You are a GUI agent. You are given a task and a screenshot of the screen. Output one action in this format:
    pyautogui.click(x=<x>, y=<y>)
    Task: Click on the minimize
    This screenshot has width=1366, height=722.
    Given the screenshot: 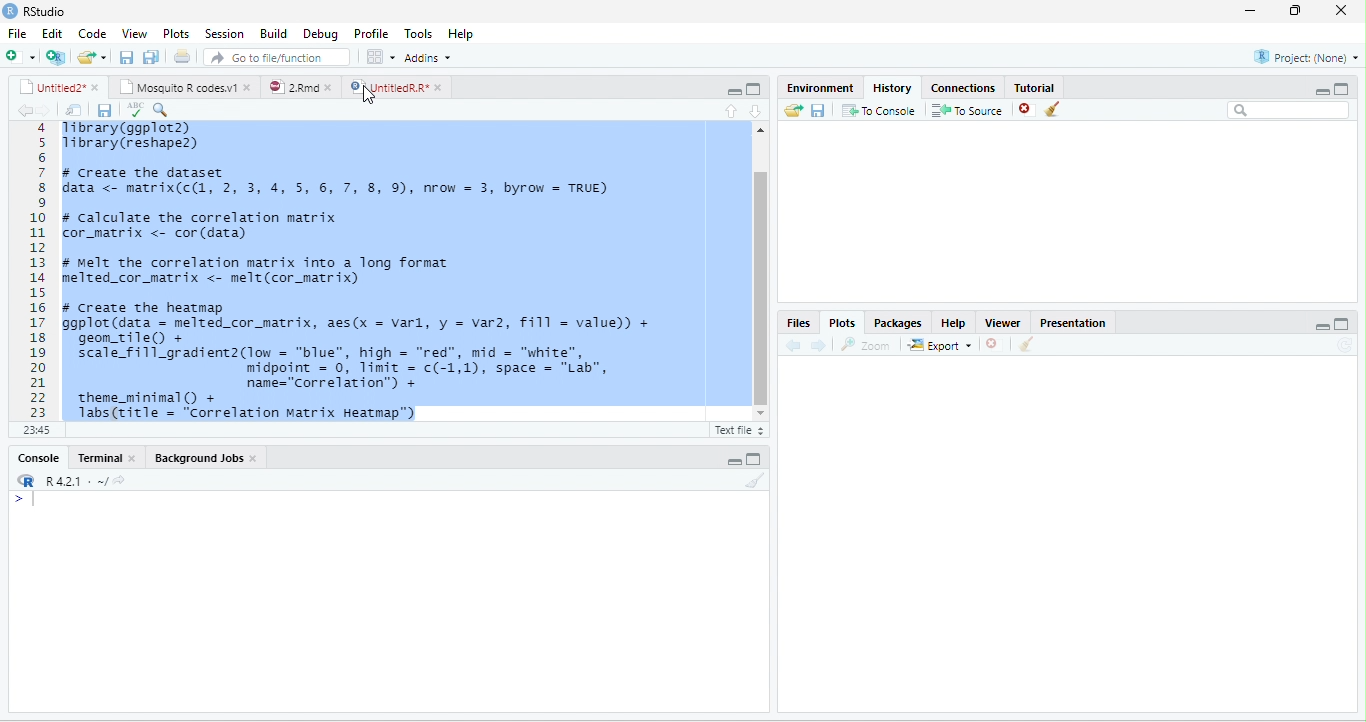 What is the action you would take?
    pyautogui.click(x=1313, y=89)
    